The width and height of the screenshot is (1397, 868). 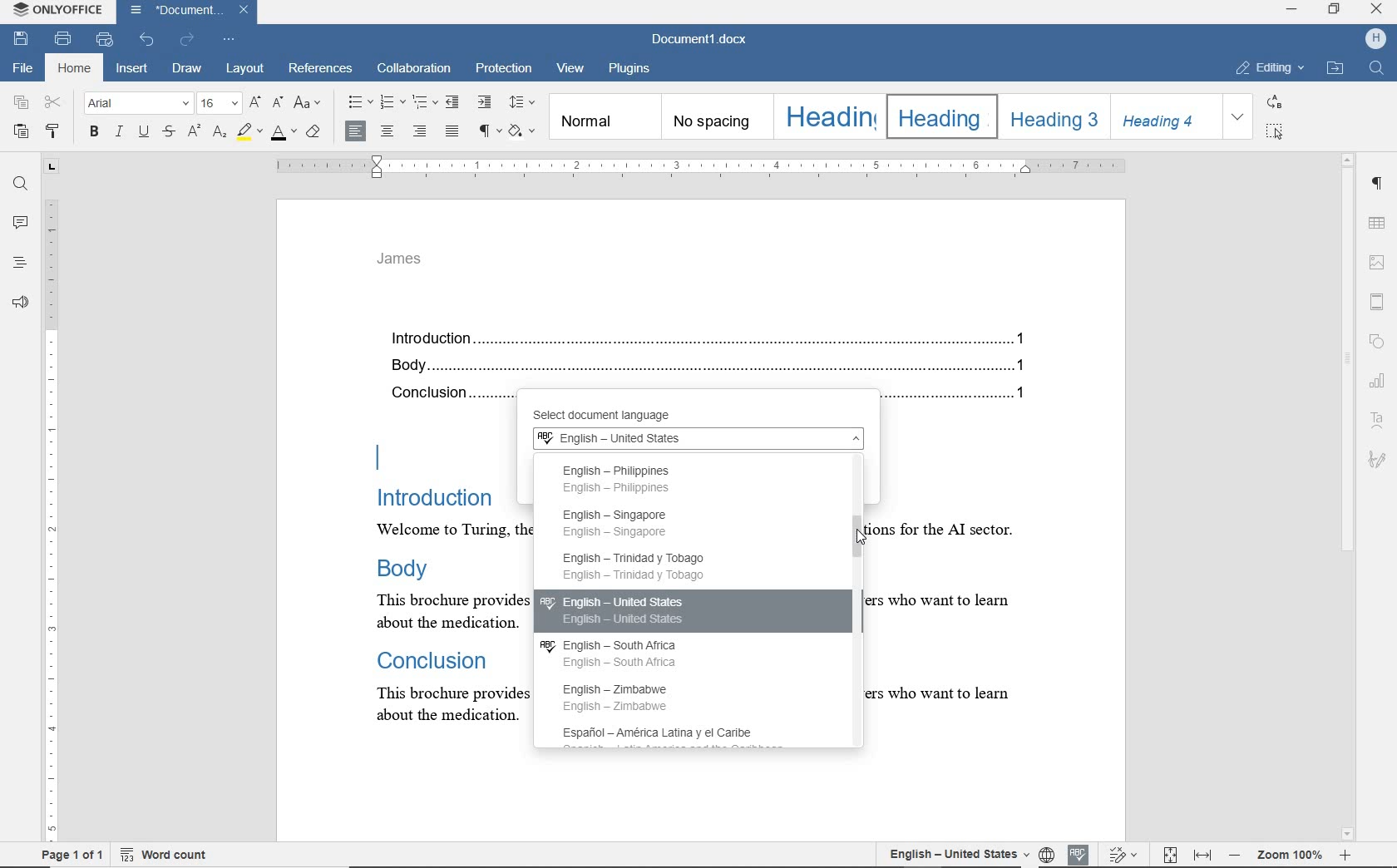 I want to click on james, so click(x=400, y=259).